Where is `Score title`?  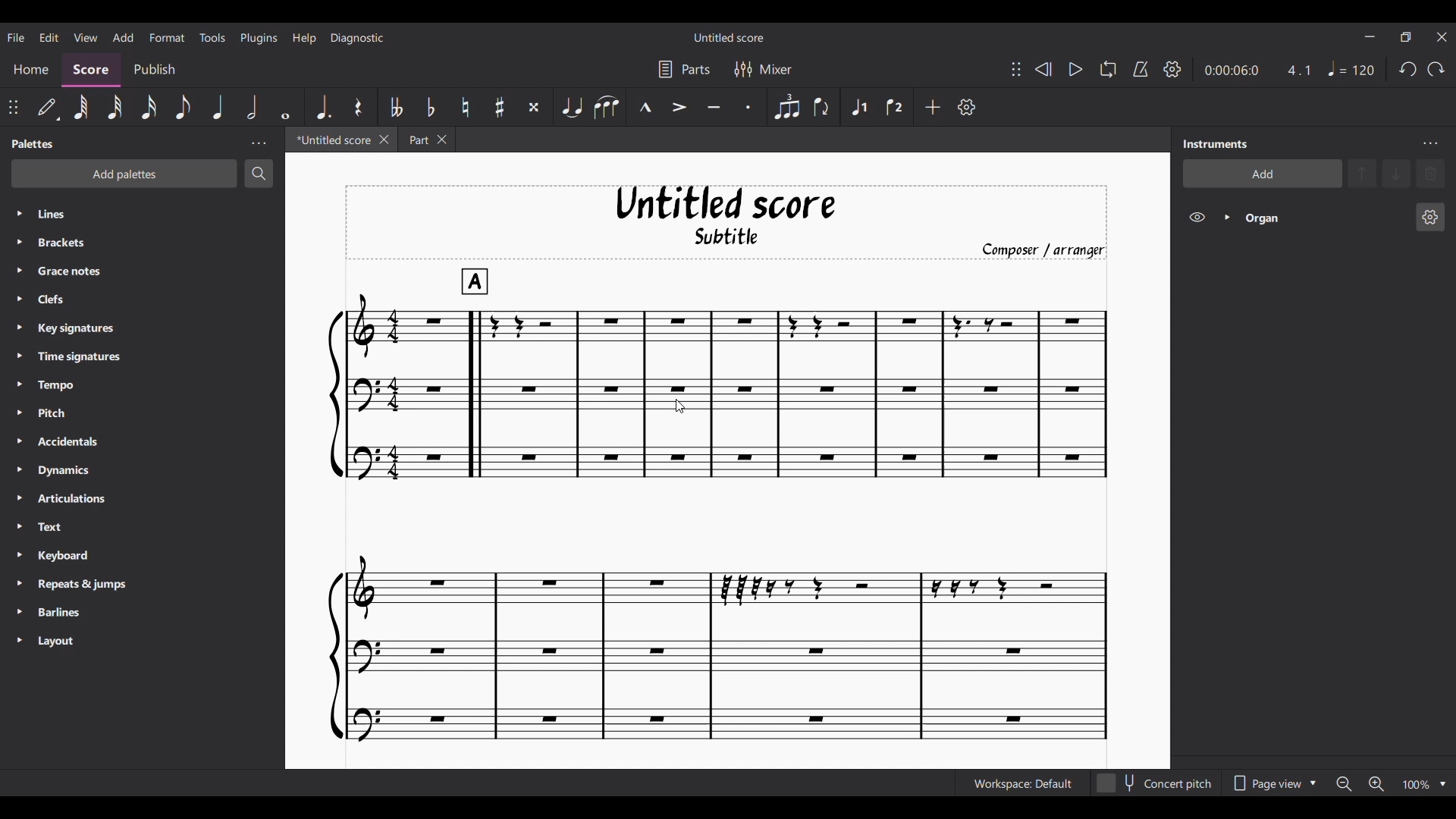 Score title is located at coordinates (730, 37).